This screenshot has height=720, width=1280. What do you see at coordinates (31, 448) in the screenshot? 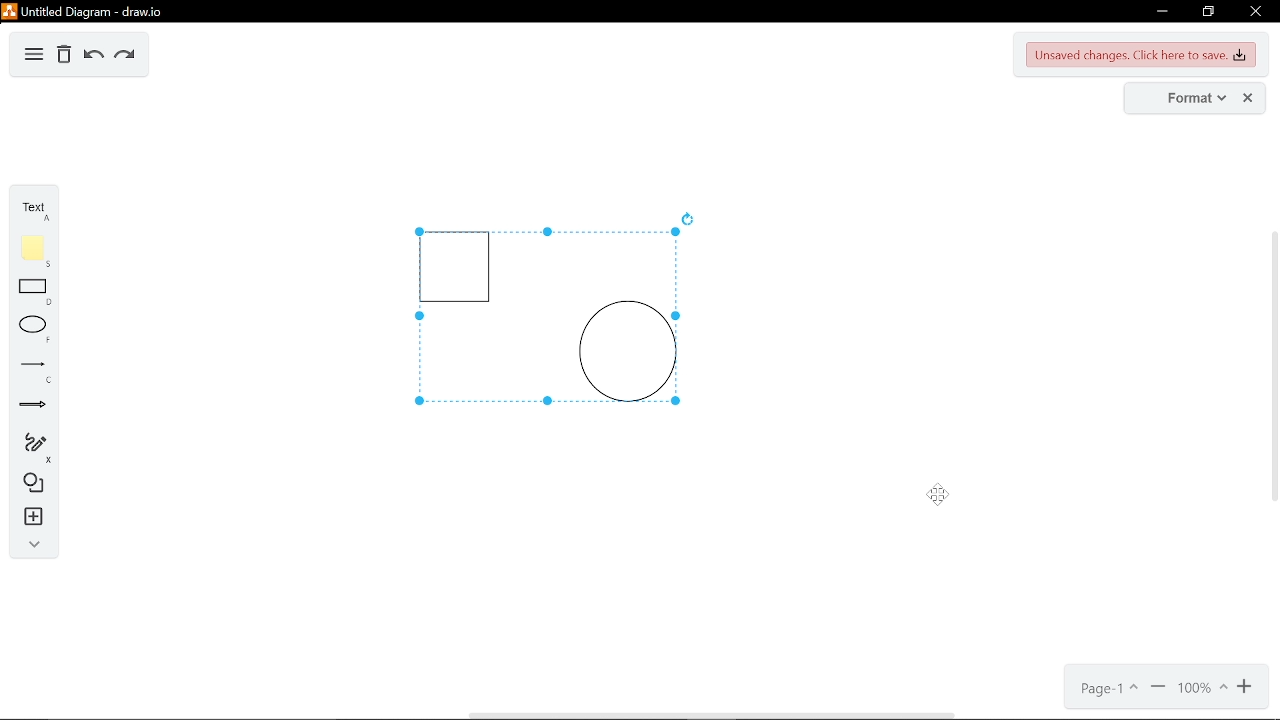
I see `freehand` at bounding box center [31, 448].